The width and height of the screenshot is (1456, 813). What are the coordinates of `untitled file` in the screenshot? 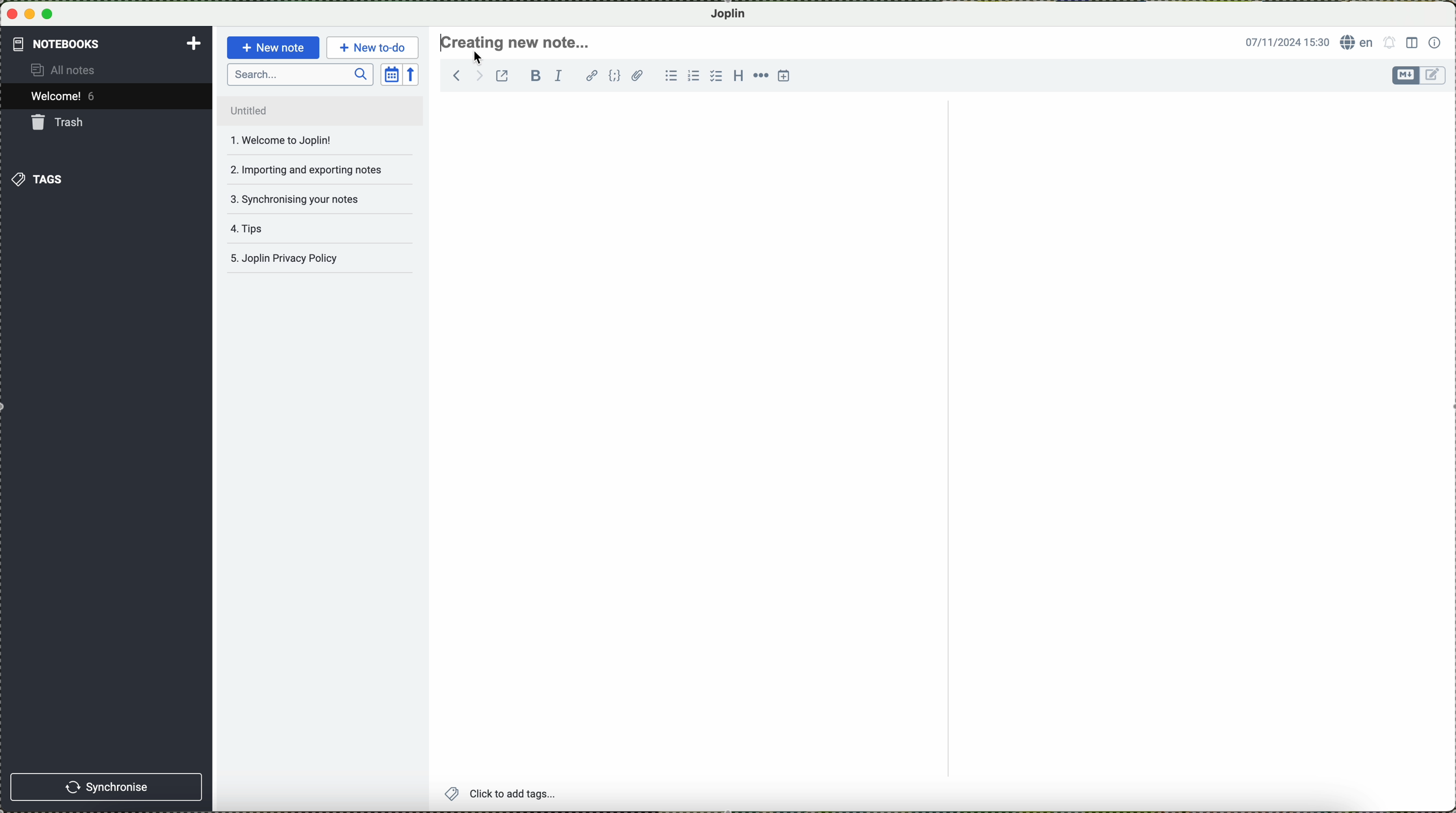 It's located at (318, 111).